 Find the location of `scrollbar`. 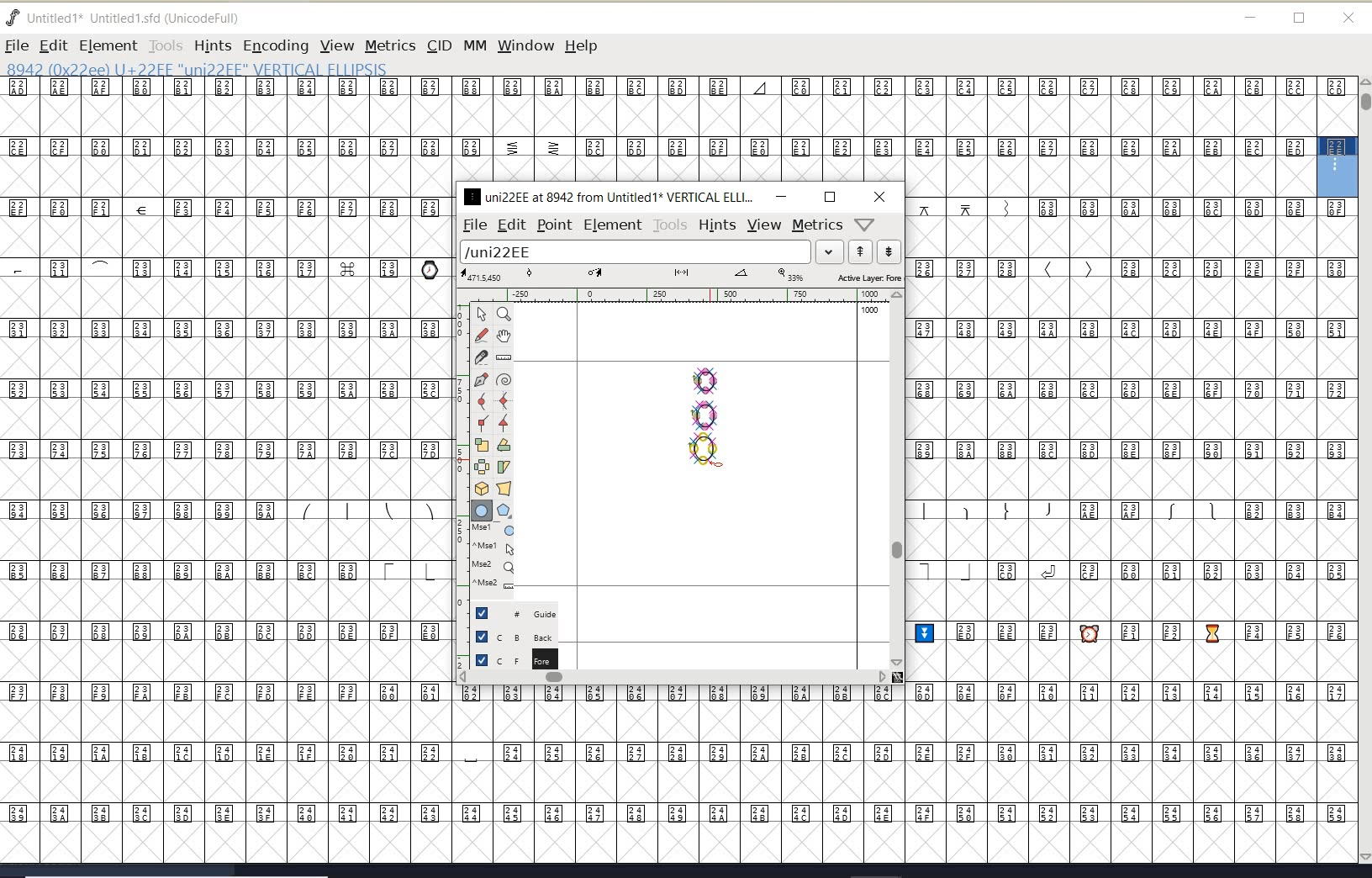

scrollbar is located at coordinates (673, 679).